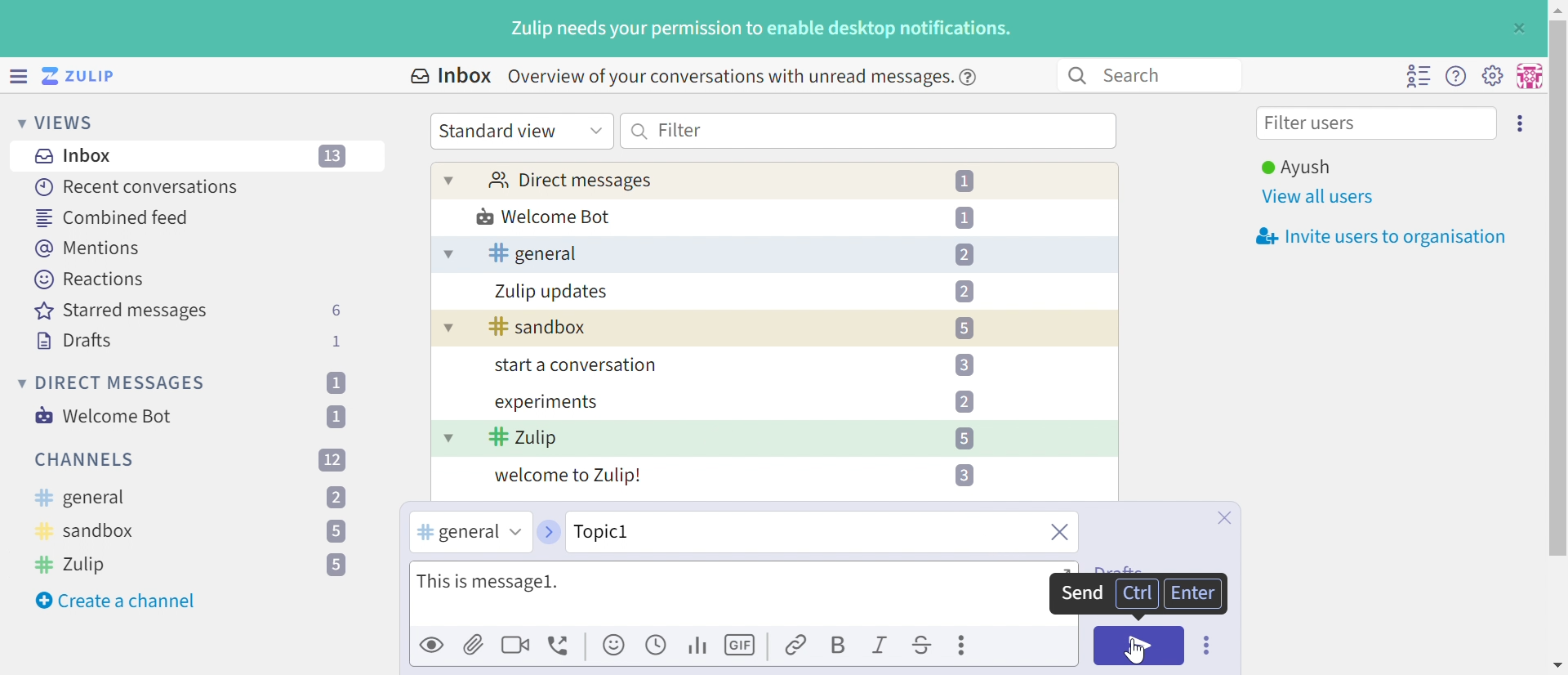 Image resolution: width=1568 pixels, height=675 pixels. I want to click on 1, so click(340, 416).